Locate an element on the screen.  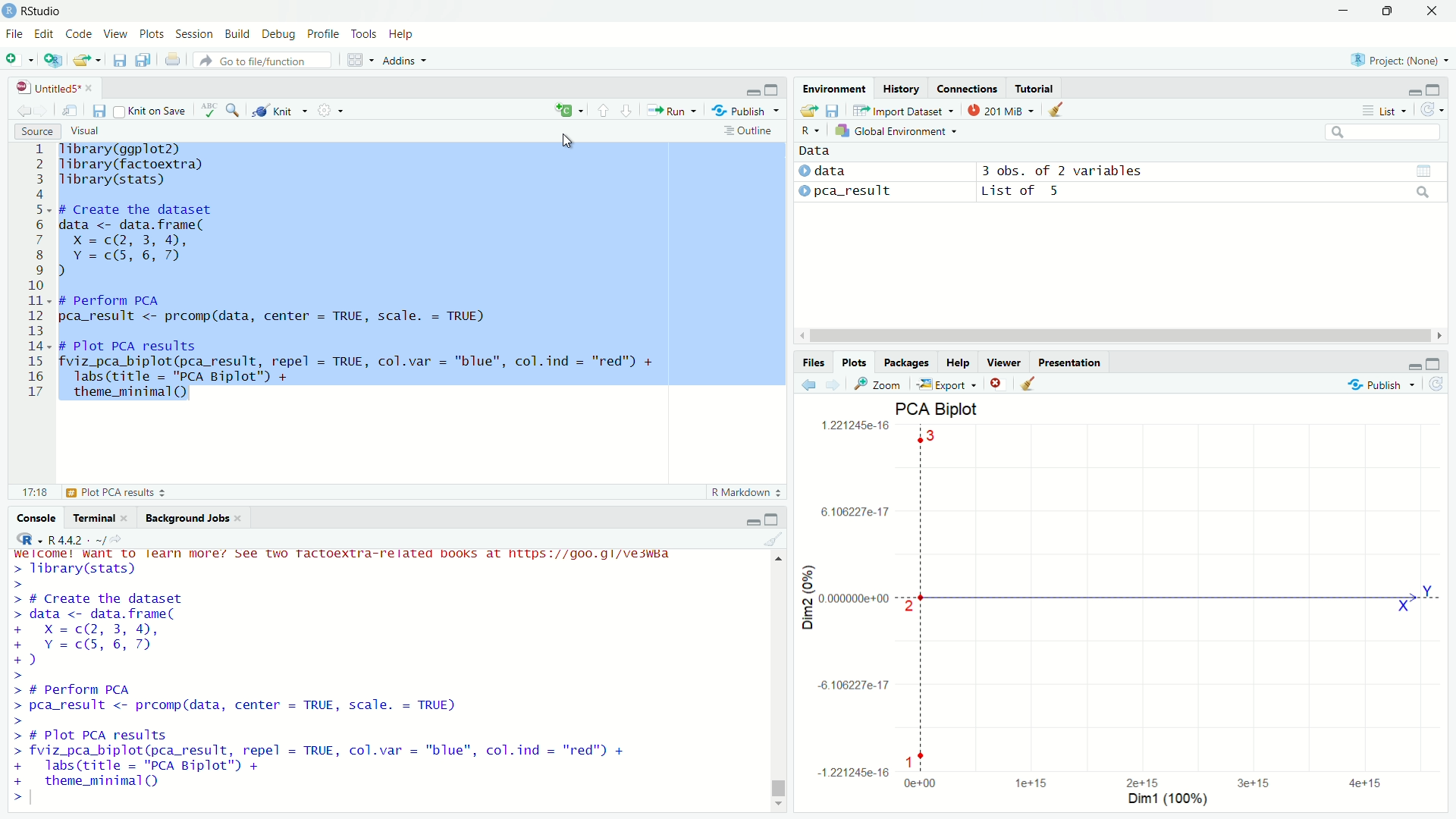
maximize is located at coordinates (775, 90).